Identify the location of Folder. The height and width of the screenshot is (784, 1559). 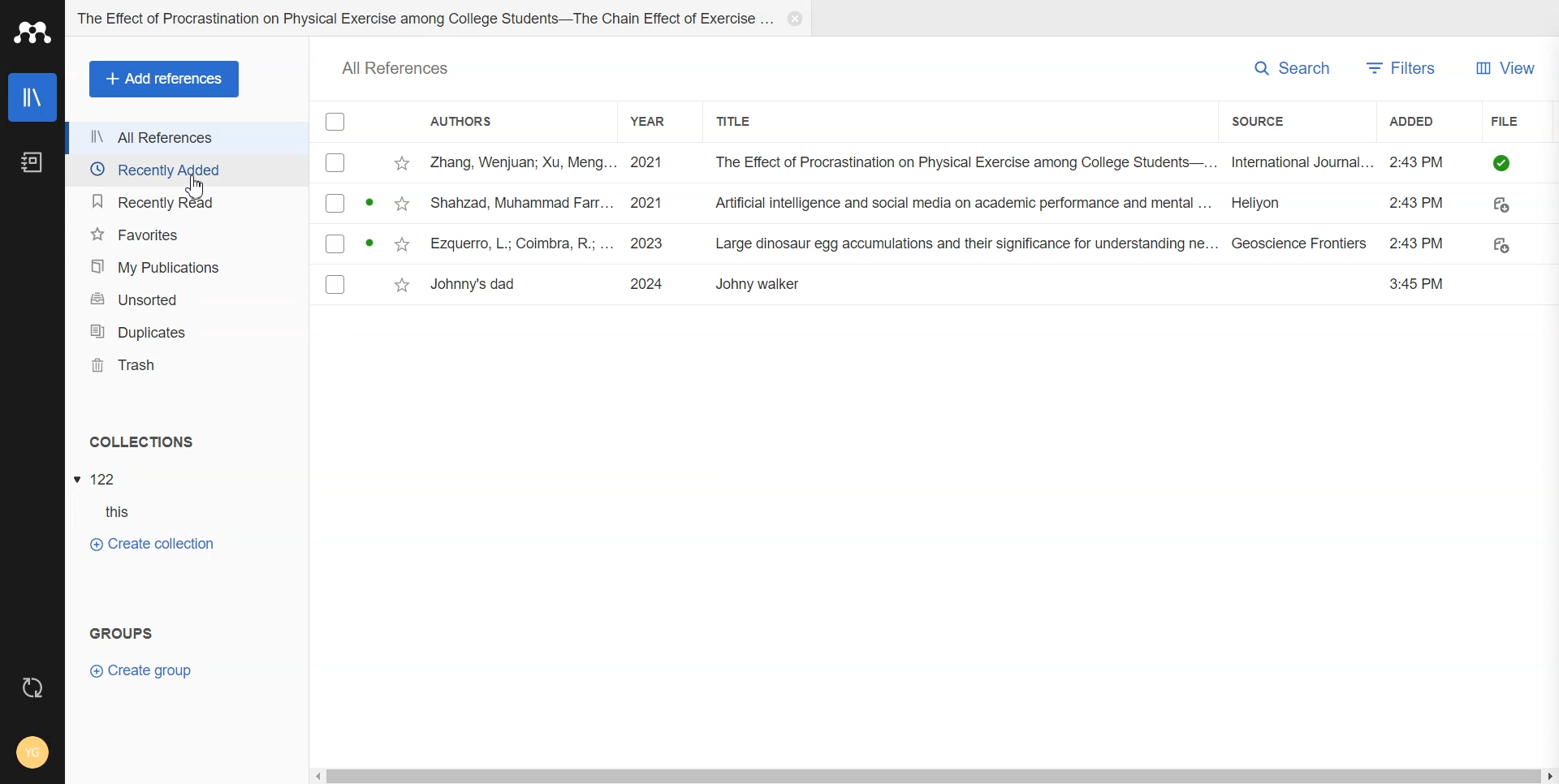
(442, 19).